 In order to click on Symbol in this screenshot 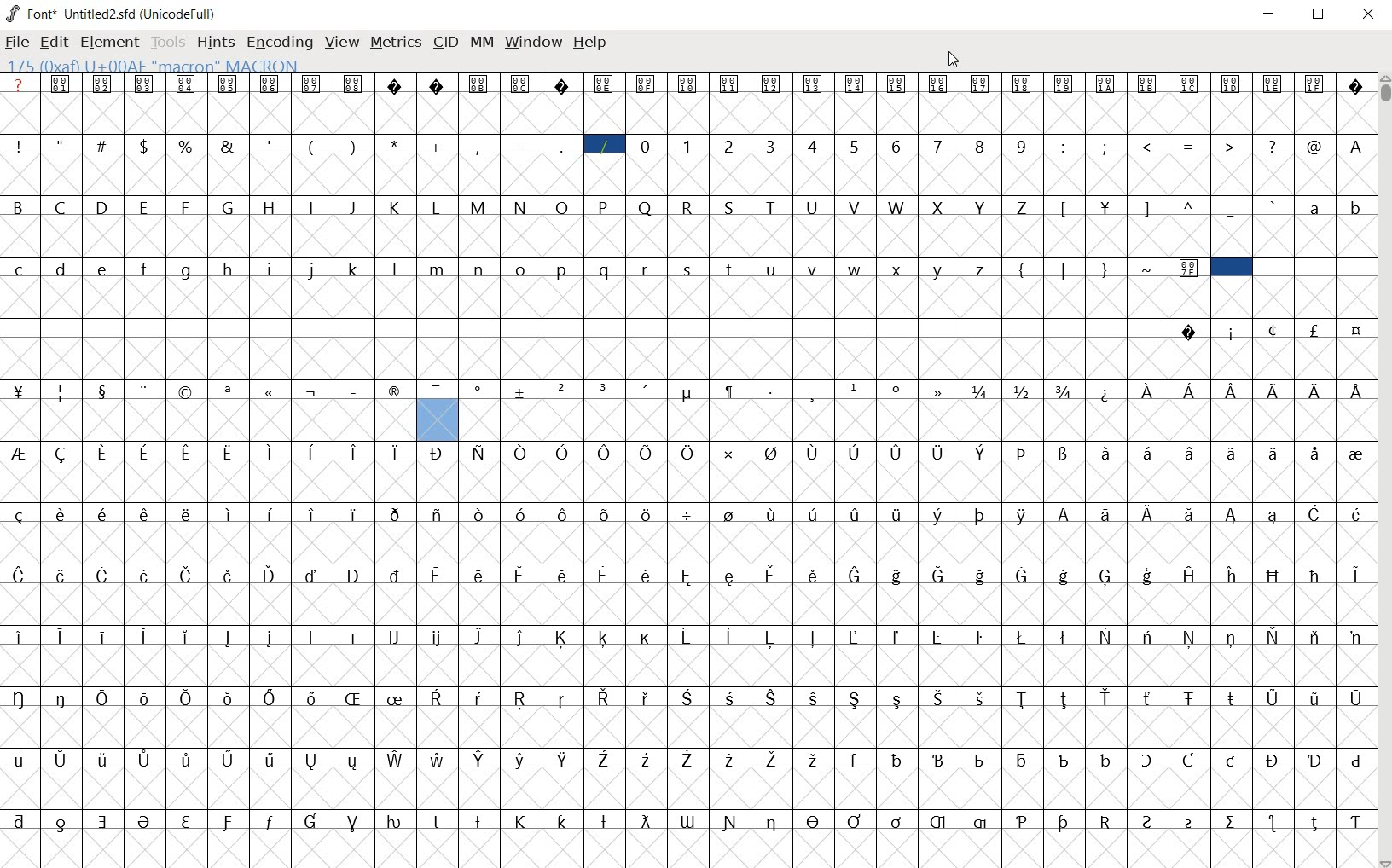, I will do `click(1191, 391)`.